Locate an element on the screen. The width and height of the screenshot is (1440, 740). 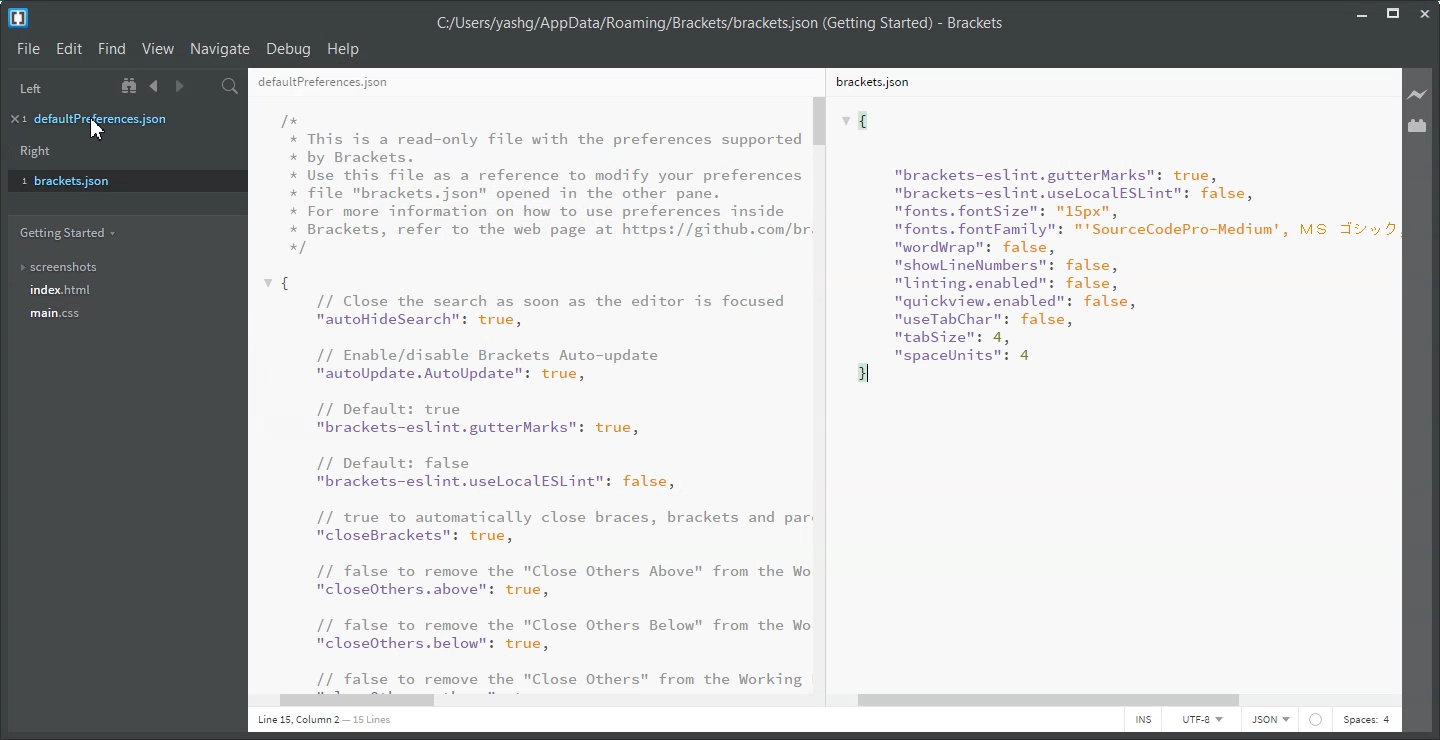
Screenshots is located at coordinates (121, 267).